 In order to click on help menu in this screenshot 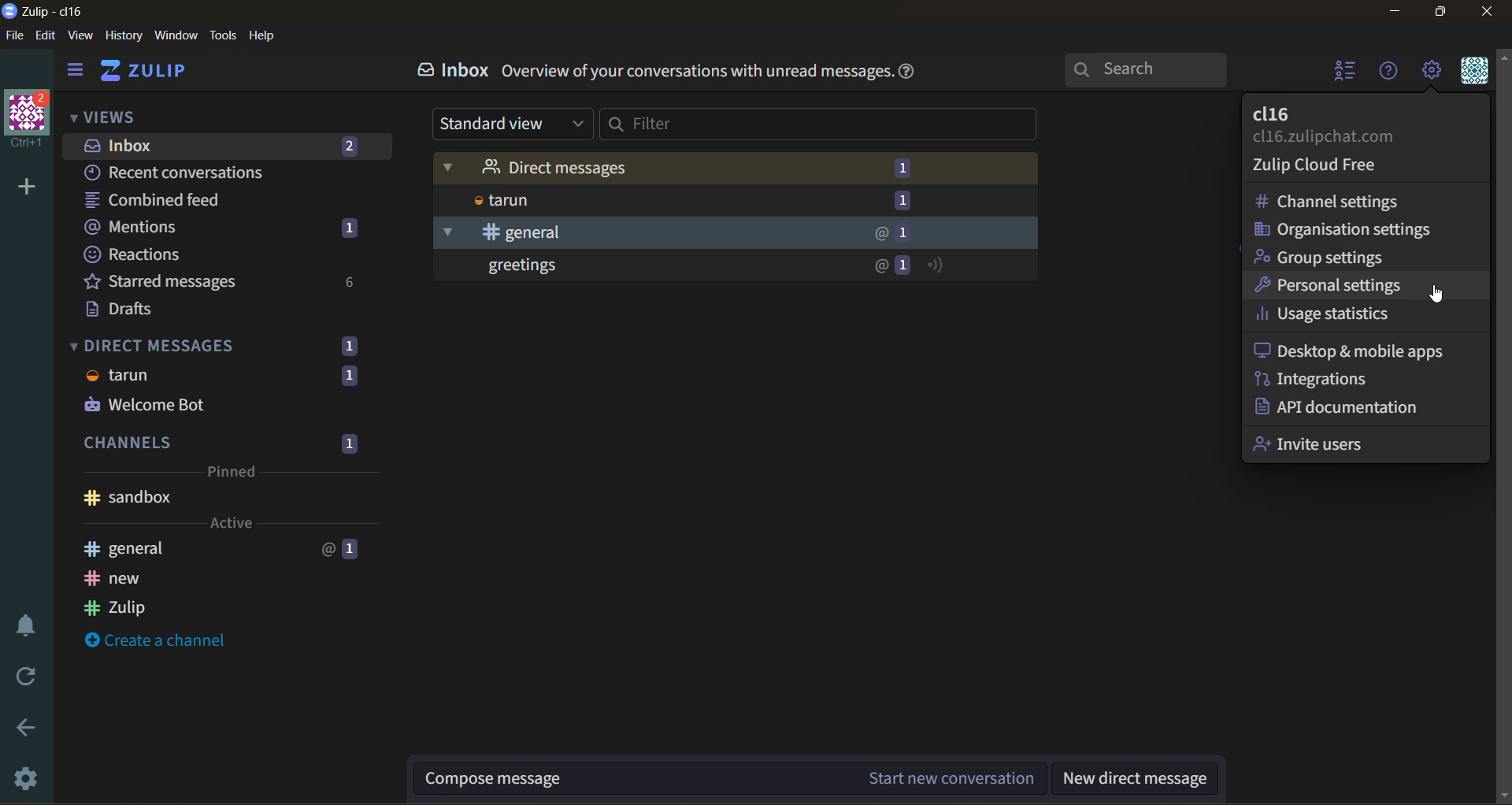, I will do `click(1383, 71)`.